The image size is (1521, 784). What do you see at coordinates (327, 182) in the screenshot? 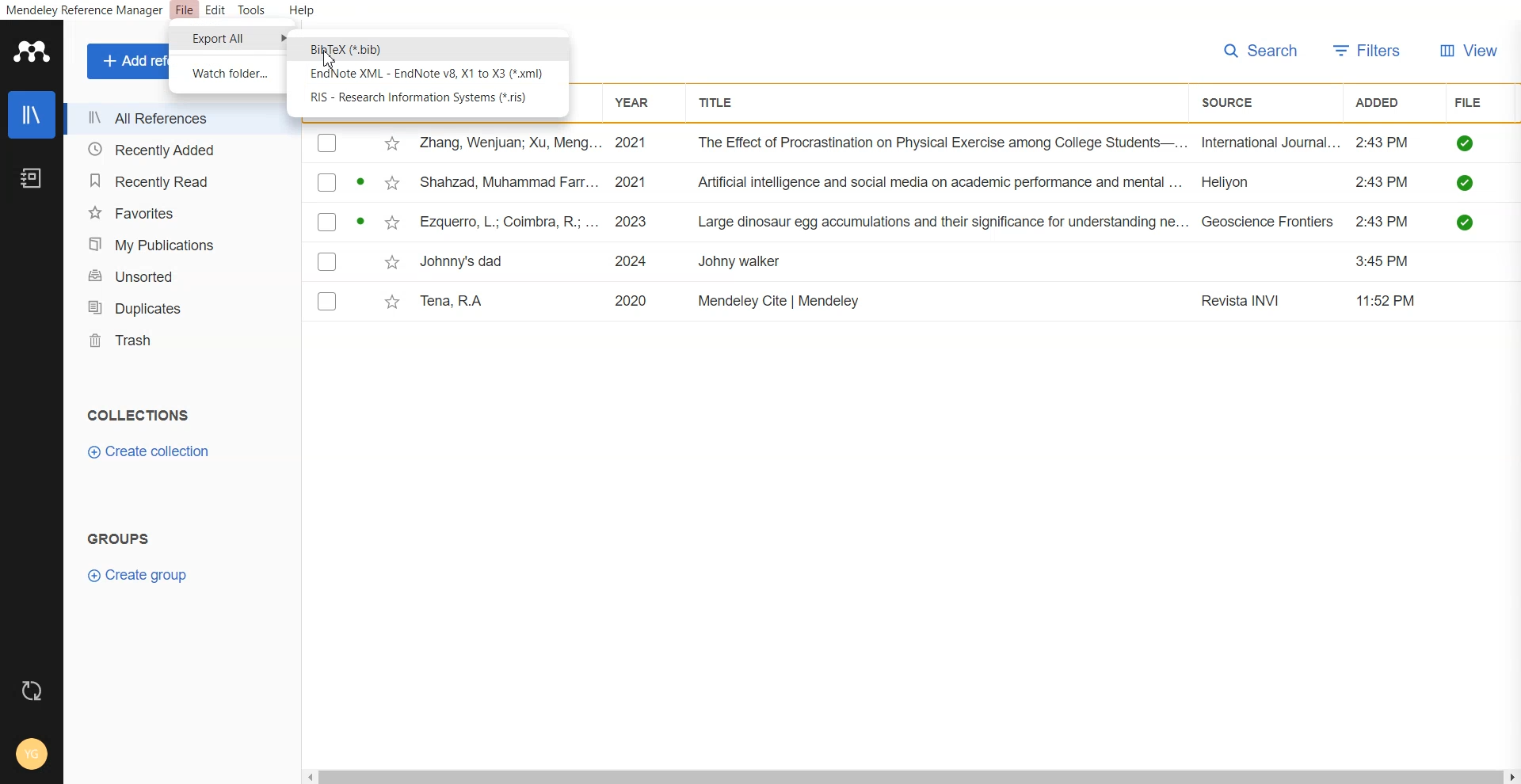
I see `checkbox` at bounding box center [327, 182].